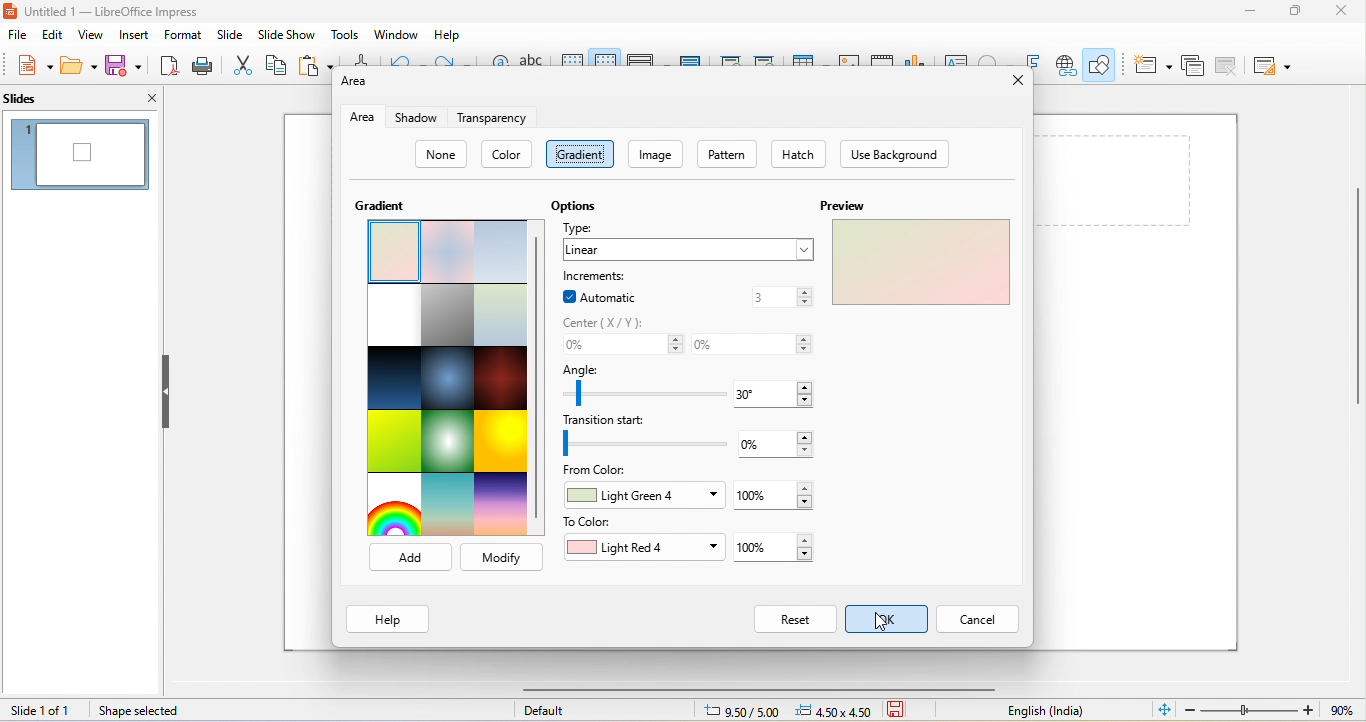 Image resolution: width=1366 pixels, height=722 pixels. I want to click on adjust, so click(810, 445).